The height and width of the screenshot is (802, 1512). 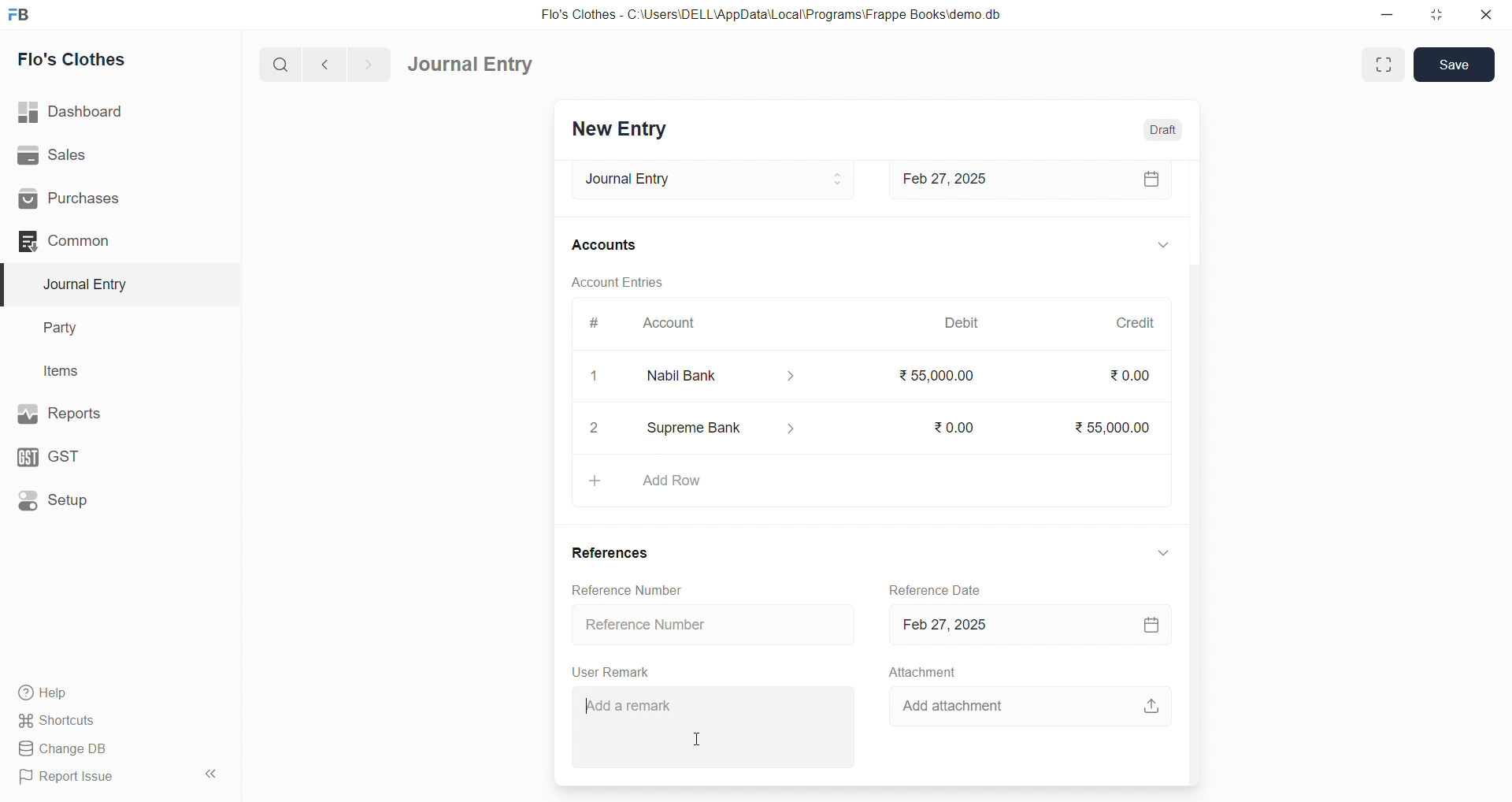 I want to click on navigate forward, so click(x=372, y=64).